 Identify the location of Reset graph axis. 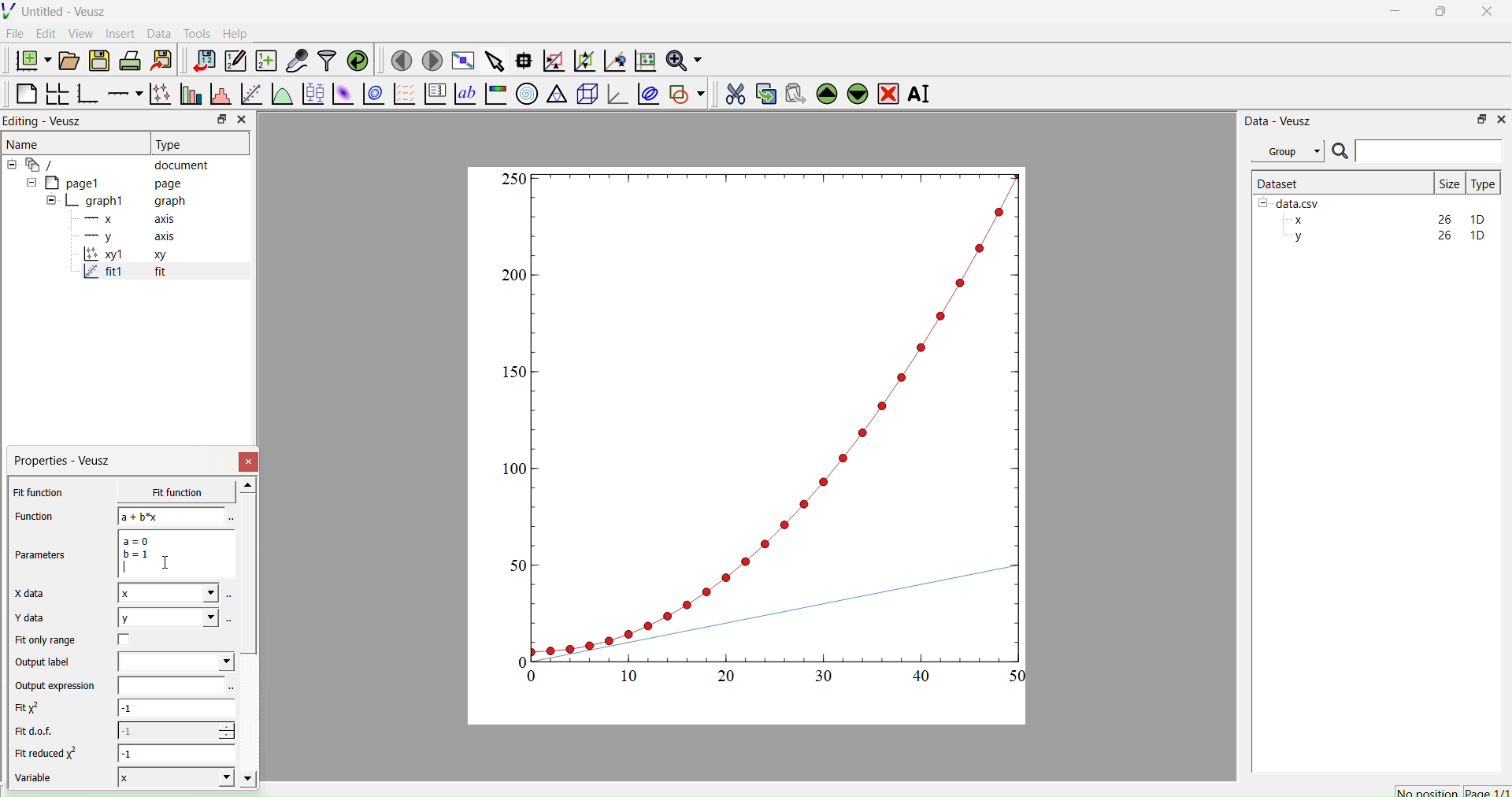
(643, 60).